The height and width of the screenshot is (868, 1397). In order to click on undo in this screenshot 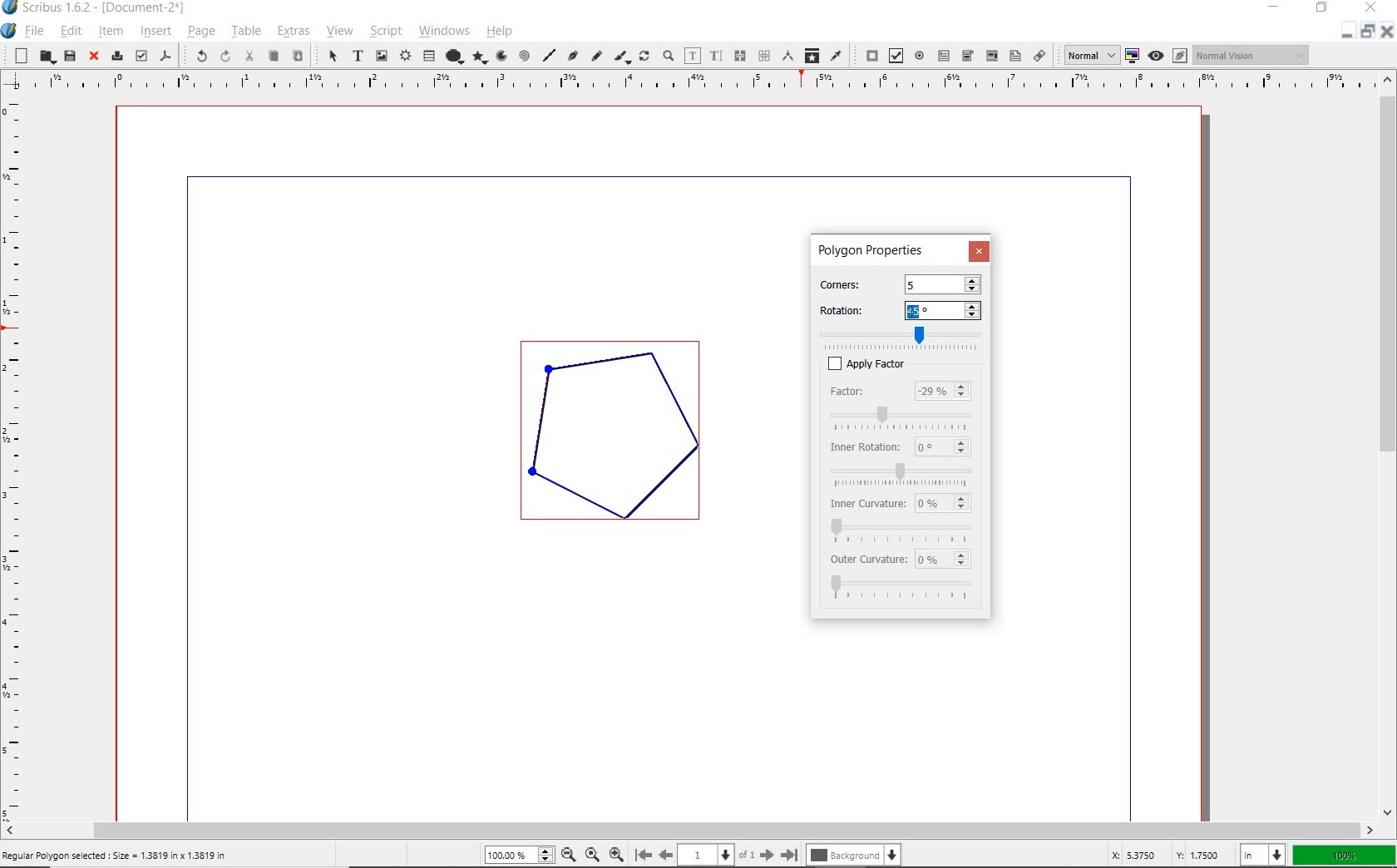, I will do `click(195, 56)`.